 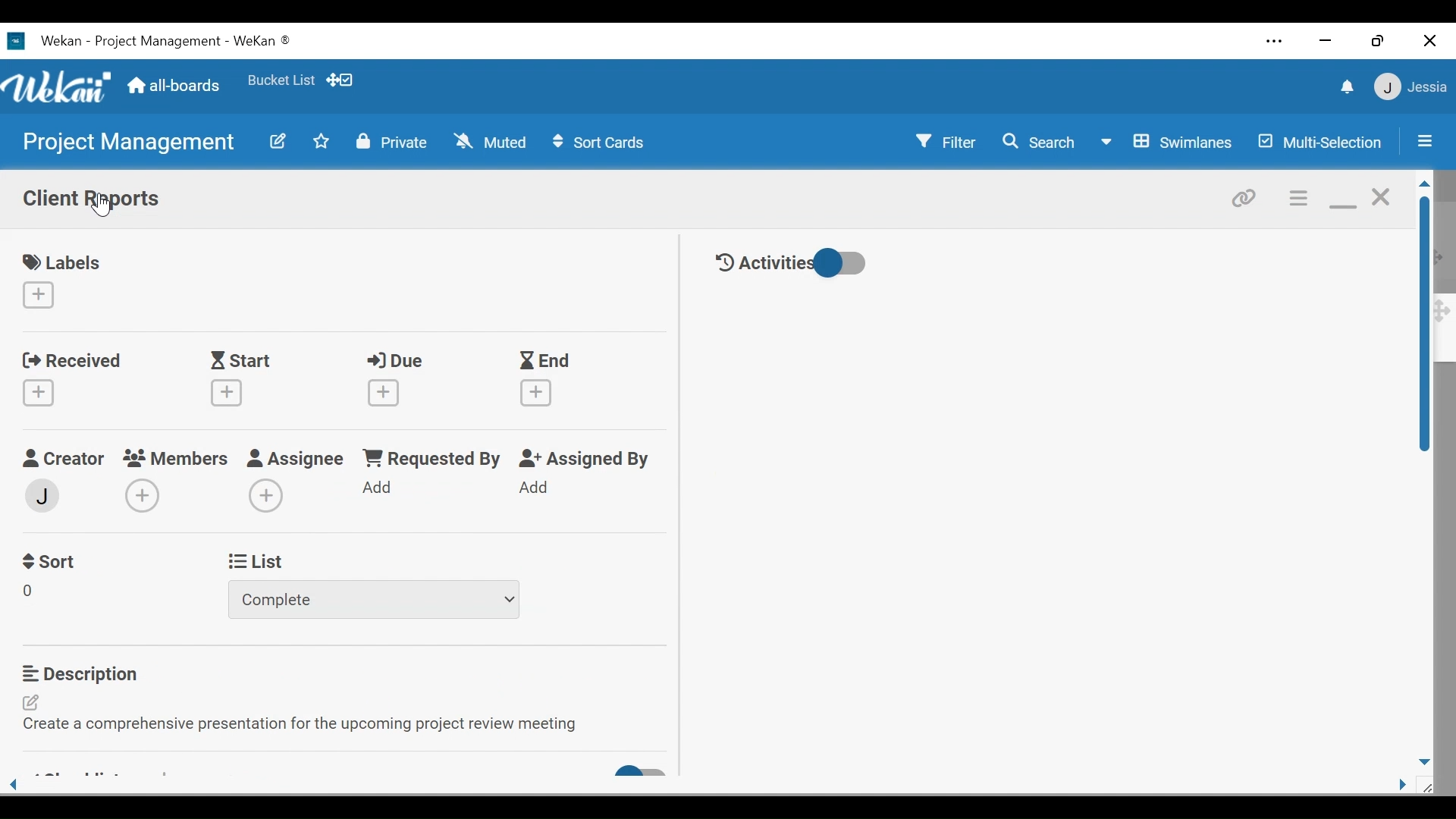 What do you see at coordinates (93, 198) in the screenshot?
I see `Card Title` at bounding box center [93, 198].